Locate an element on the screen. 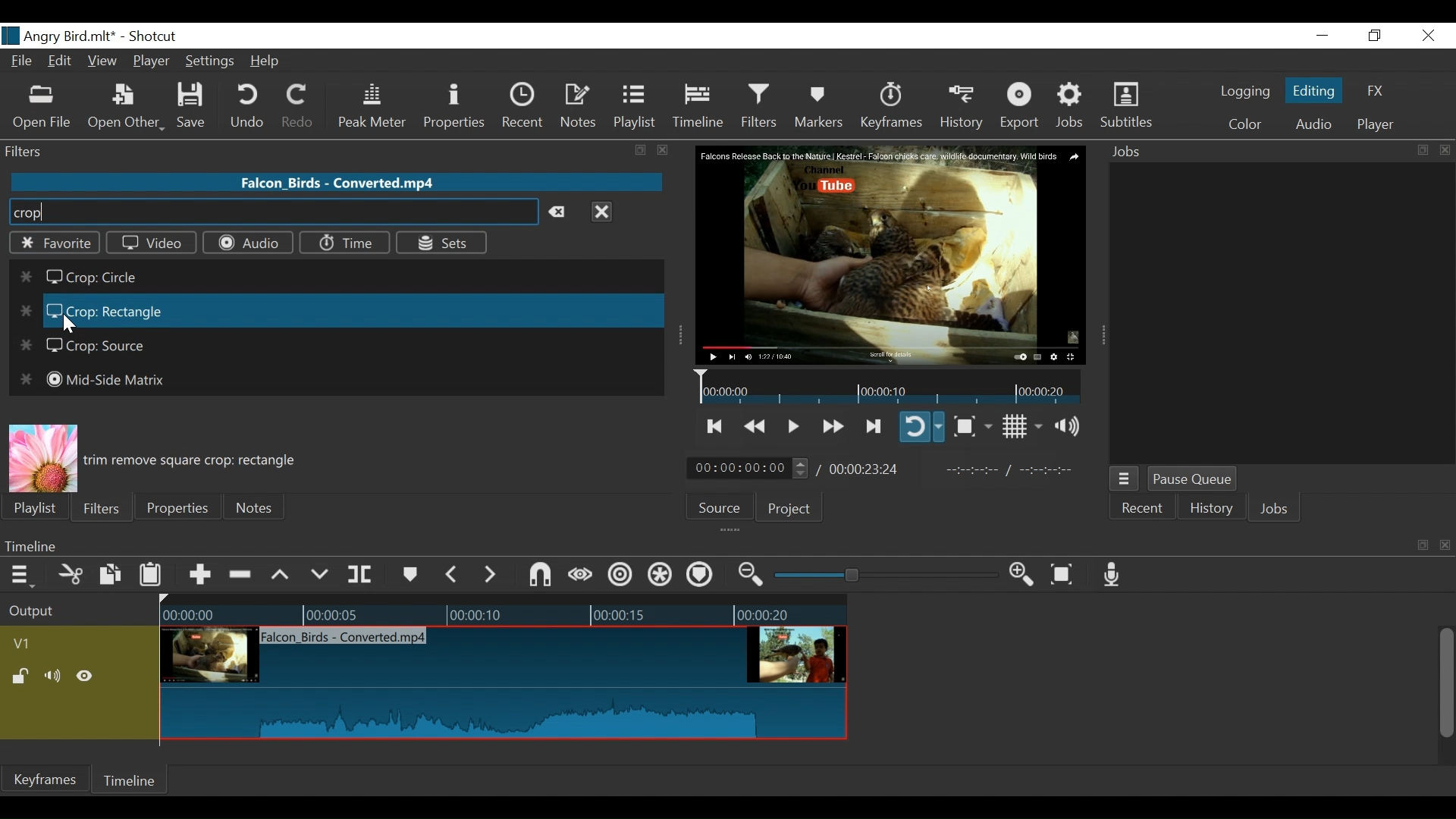 Image resolution: width=1456 pixels, height=819 pixels. Show volume control is located at coordinates (1073, 426).